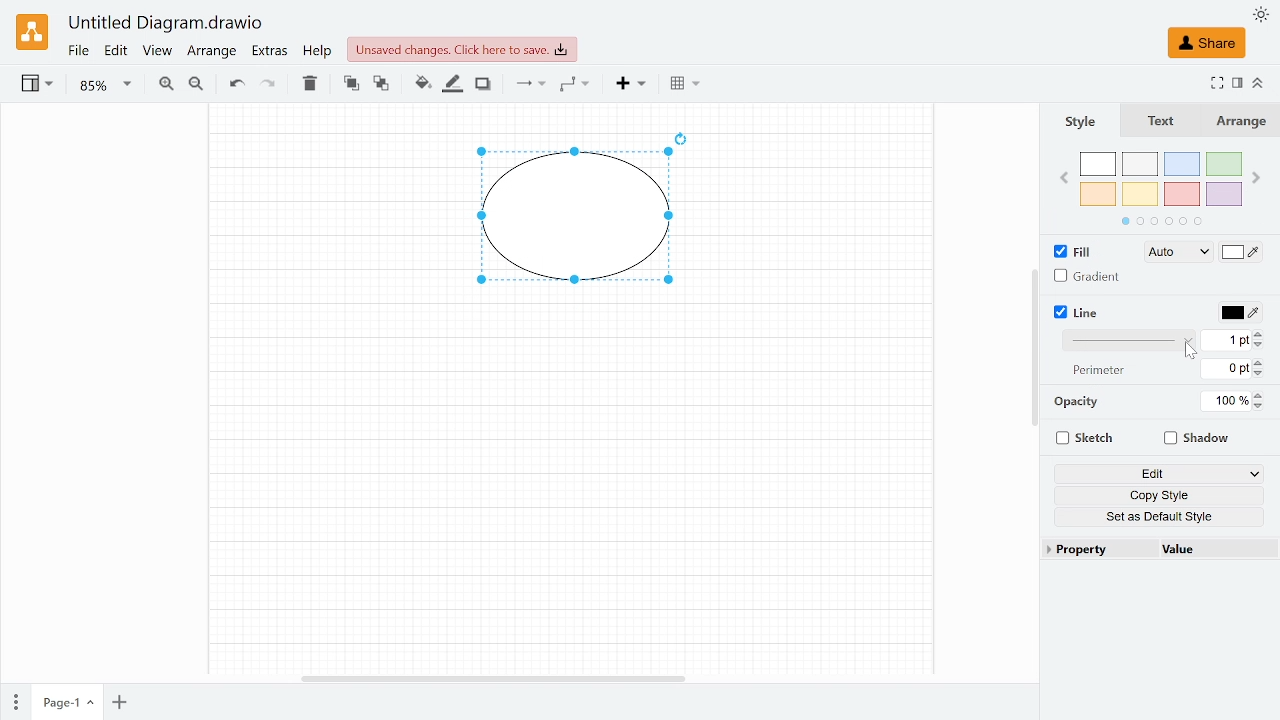 The width and height of the screenshot is (1280, 720). I want to click on Arrange, so click(213, 52).